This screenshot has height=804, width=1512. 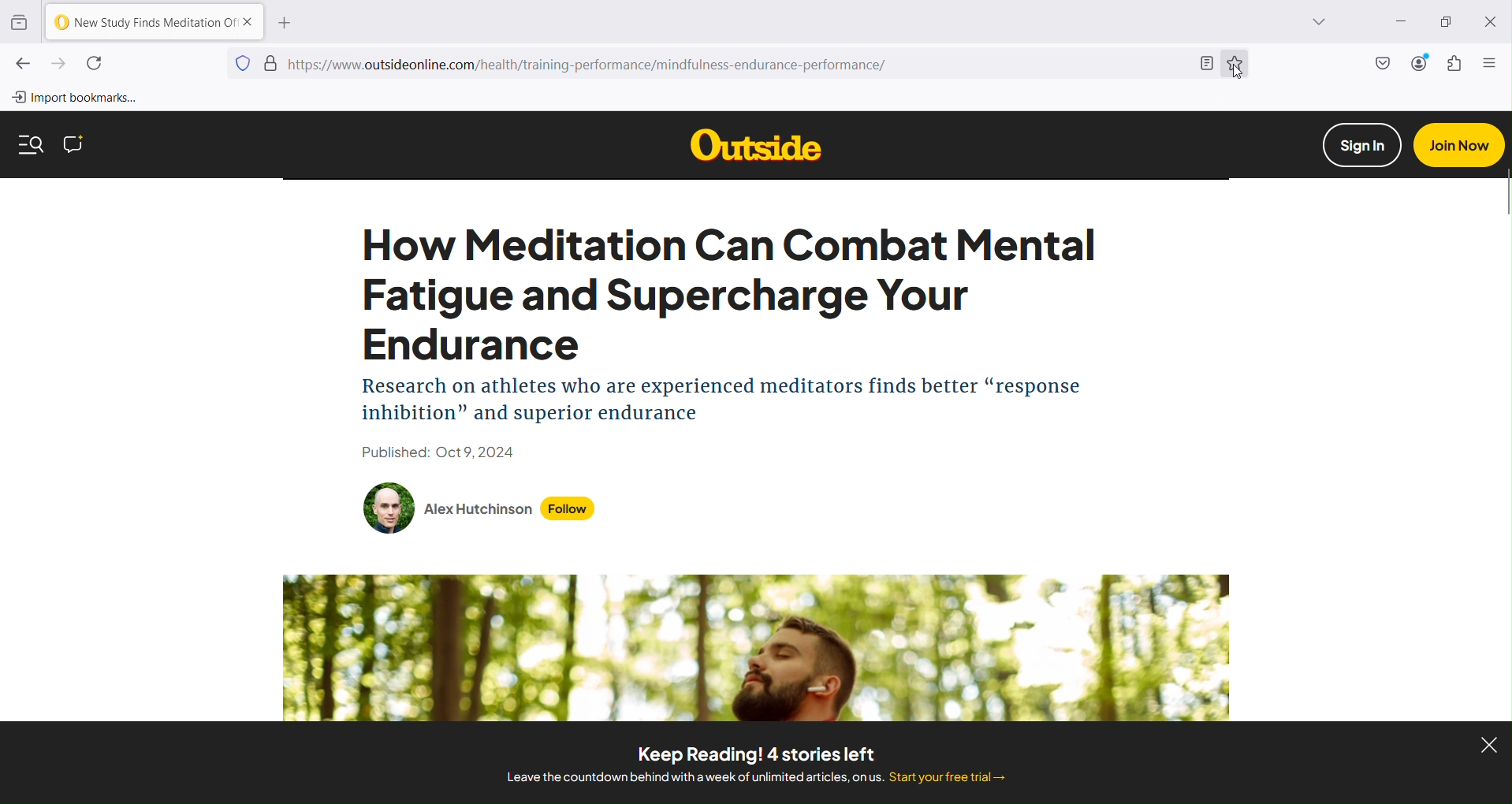 What do you see at coordinates (1457, 65) in the screenshot?
I see `Extensions` at bounding box center [1457, 65].